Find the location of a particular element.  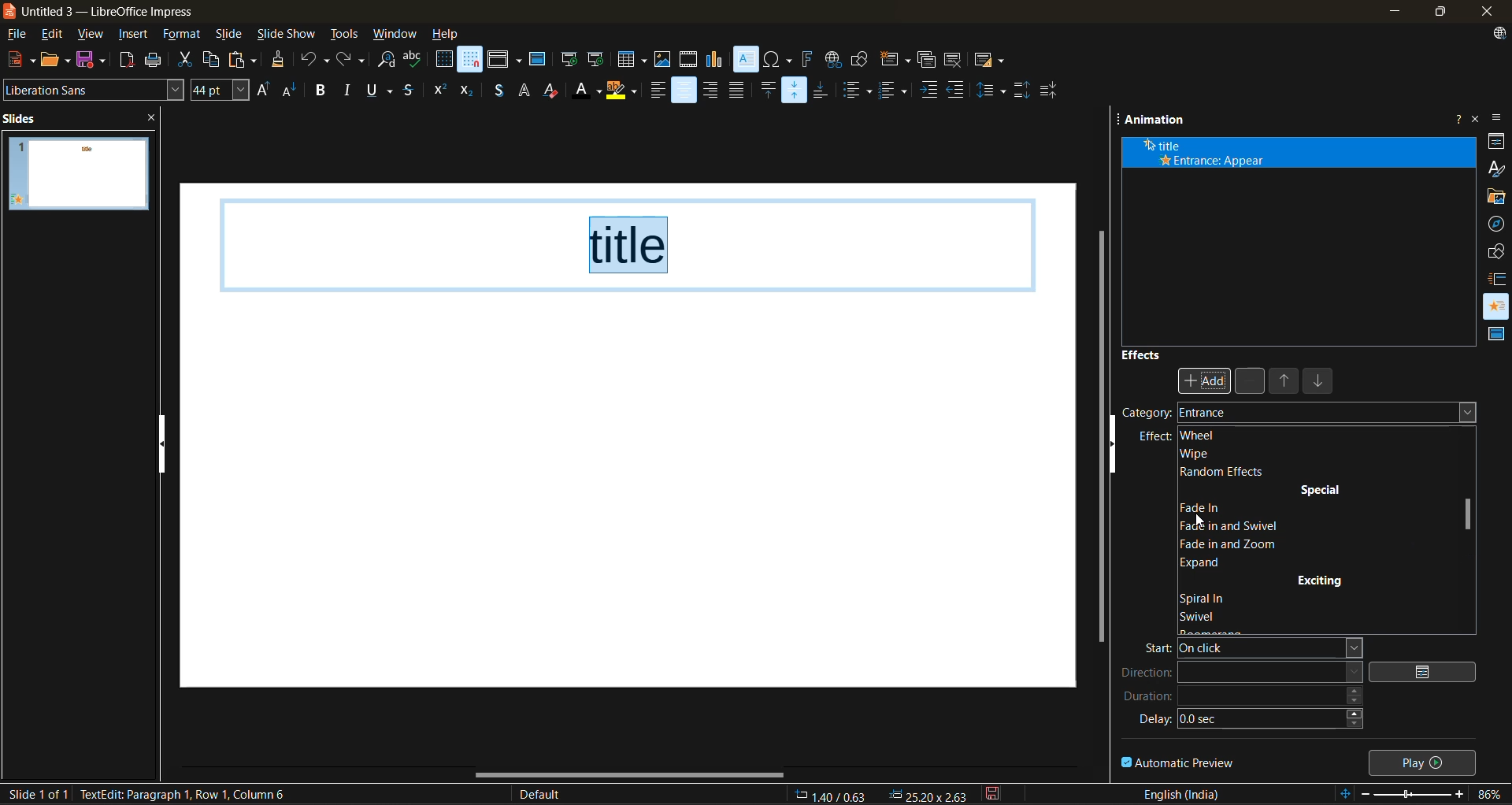

spelling is located at coordinates (414, 60).